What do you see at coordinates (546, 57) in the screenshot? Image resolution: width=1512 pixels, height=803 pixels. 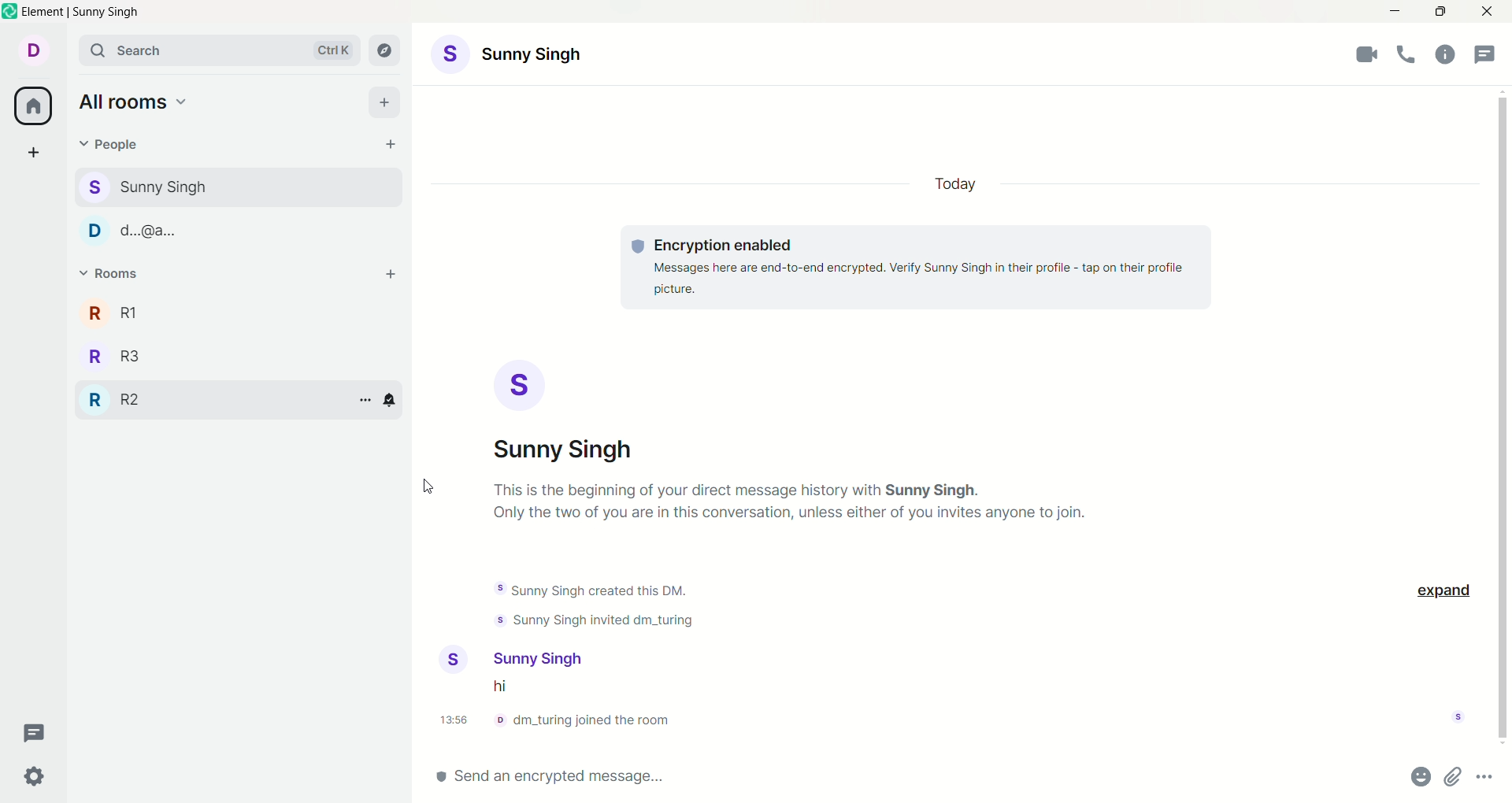 I see `acccount` at bounding box center [546, 57].